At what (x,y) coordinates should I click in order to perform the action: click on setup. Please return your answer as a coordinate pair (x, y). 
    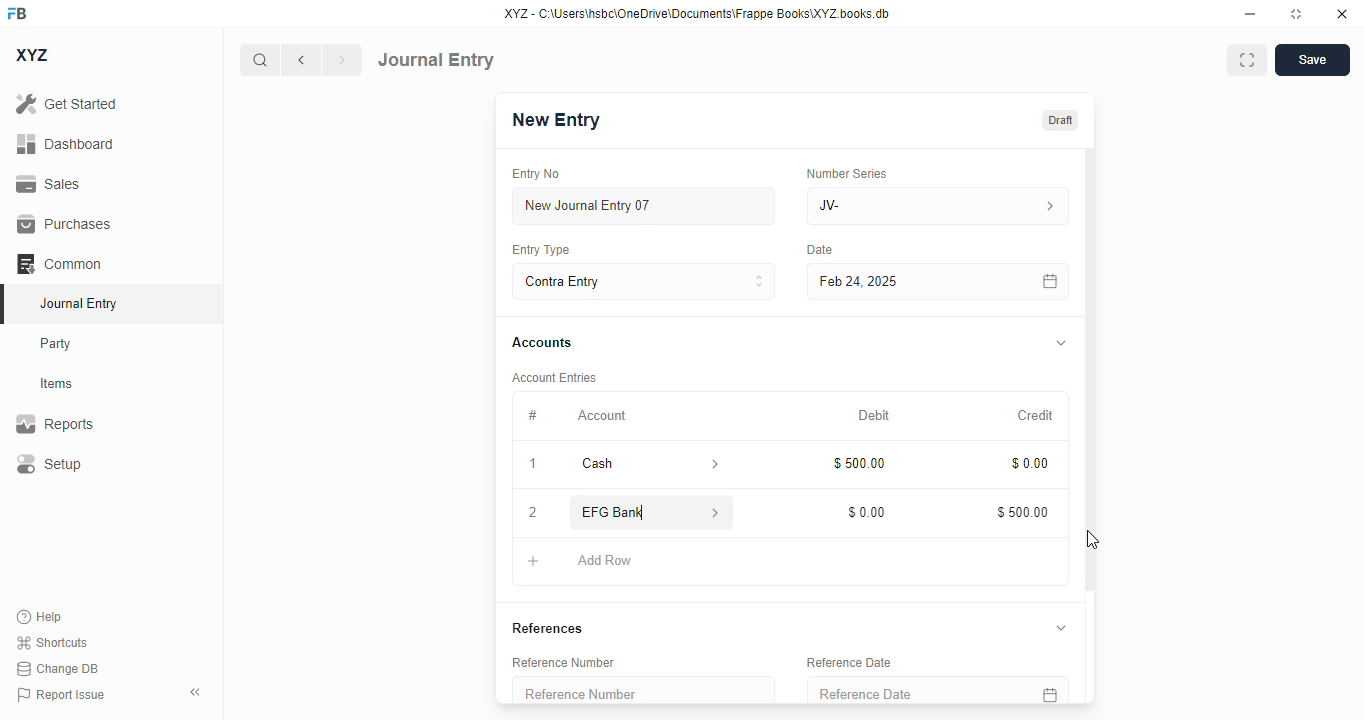
    Looking at the image, I should click on (49, 463).